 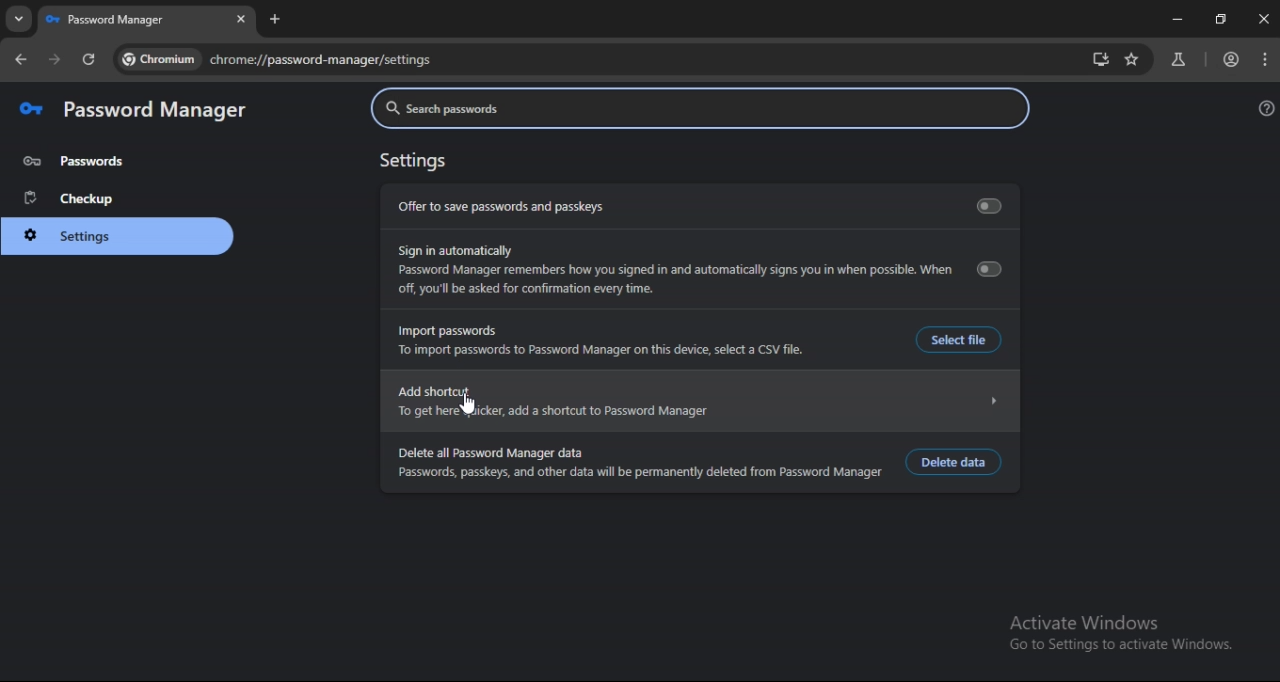 I want to click on chrome://password-manager/settings, so click(x=277, y=57).